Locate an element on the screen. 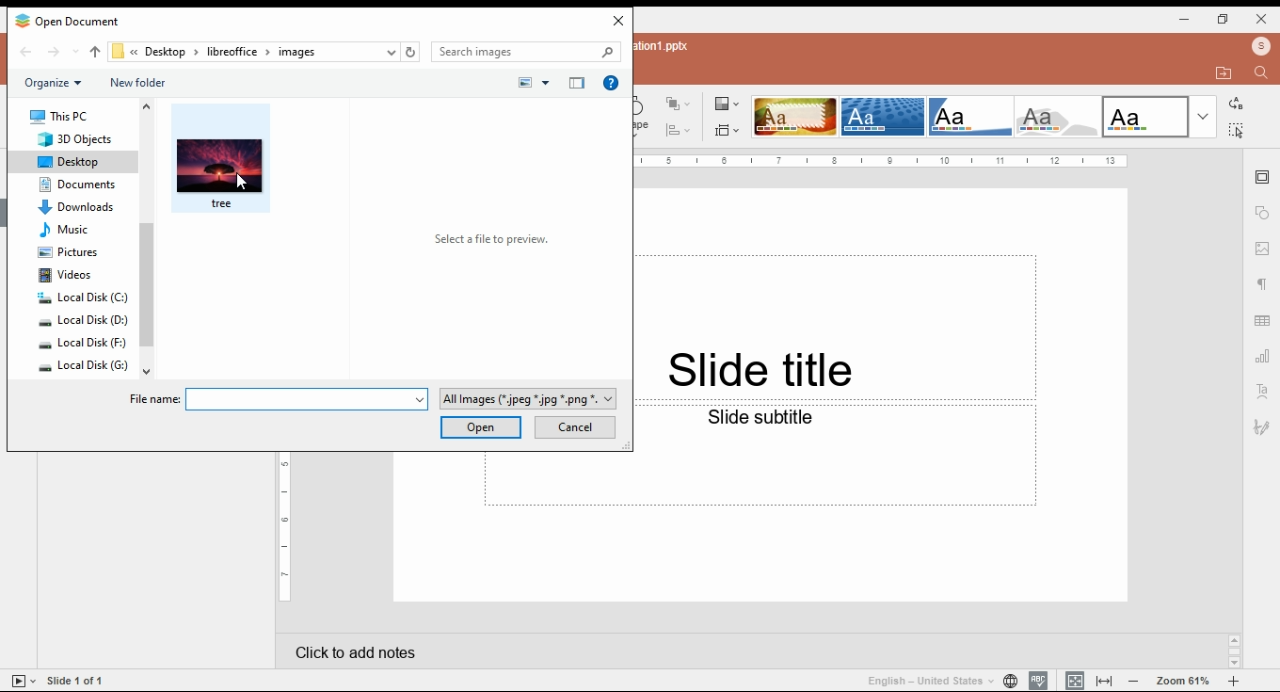 The image size is (1280, 692). change slide size is located at coordinates (725, 130).